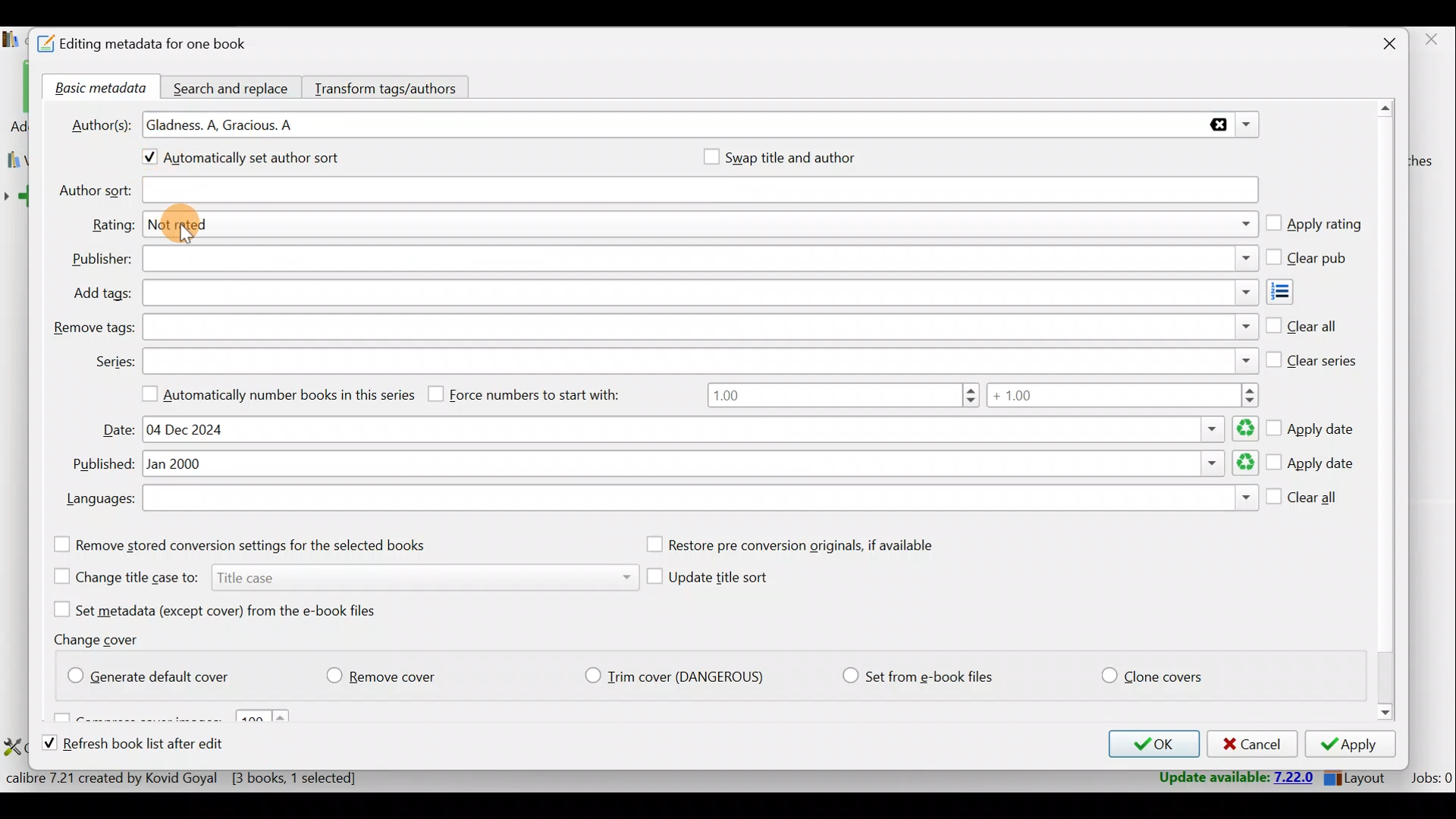  I want to click on Generate default cover, so click(156, 673).